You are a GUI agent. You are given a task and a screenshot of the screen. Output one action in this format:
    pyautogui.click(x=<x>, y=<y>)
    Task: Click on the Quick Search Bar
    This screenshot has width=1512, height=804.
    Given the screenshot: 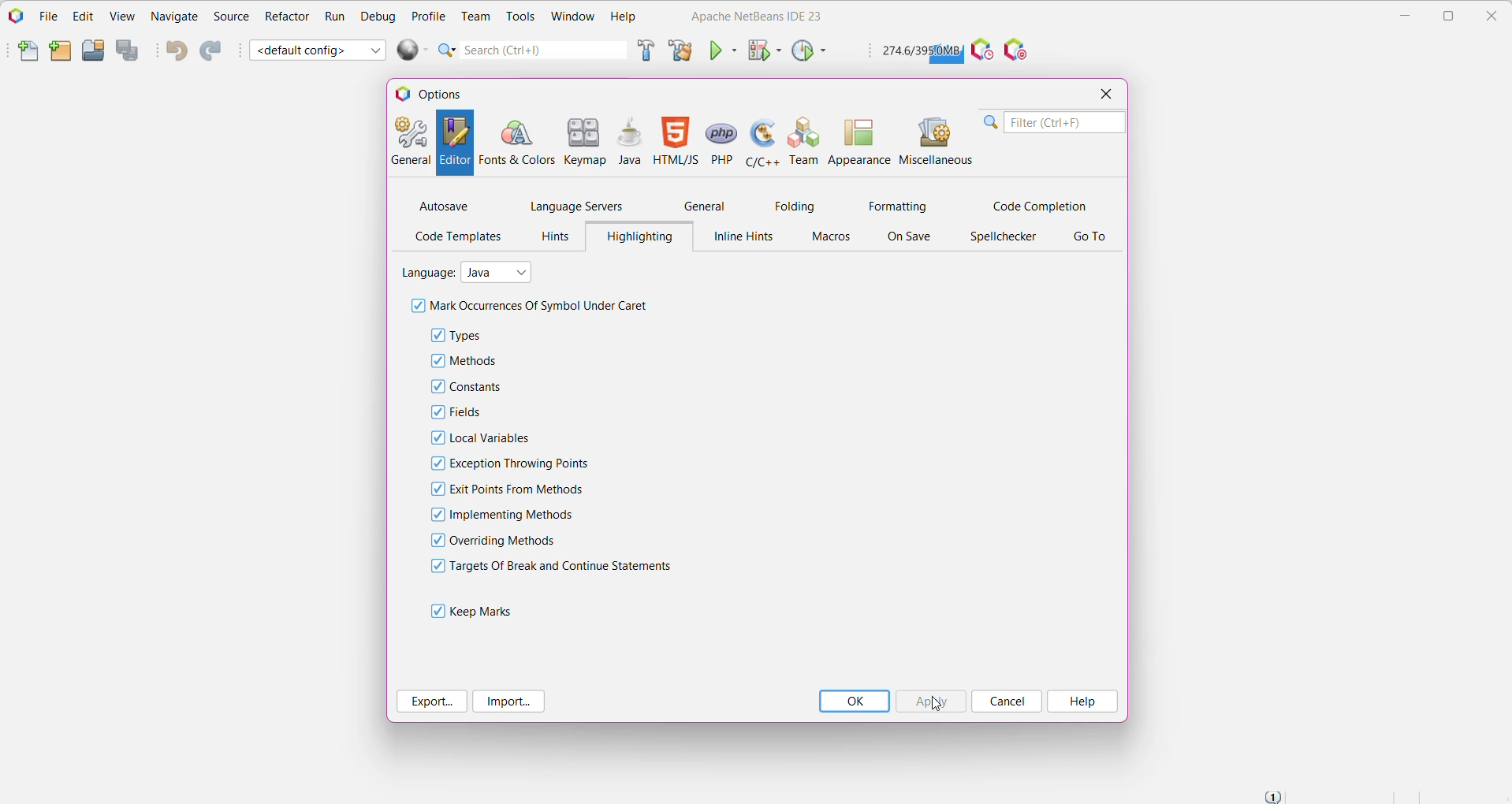 What is the action you would take?
    pyautogui.click(x=531, y=50)
    